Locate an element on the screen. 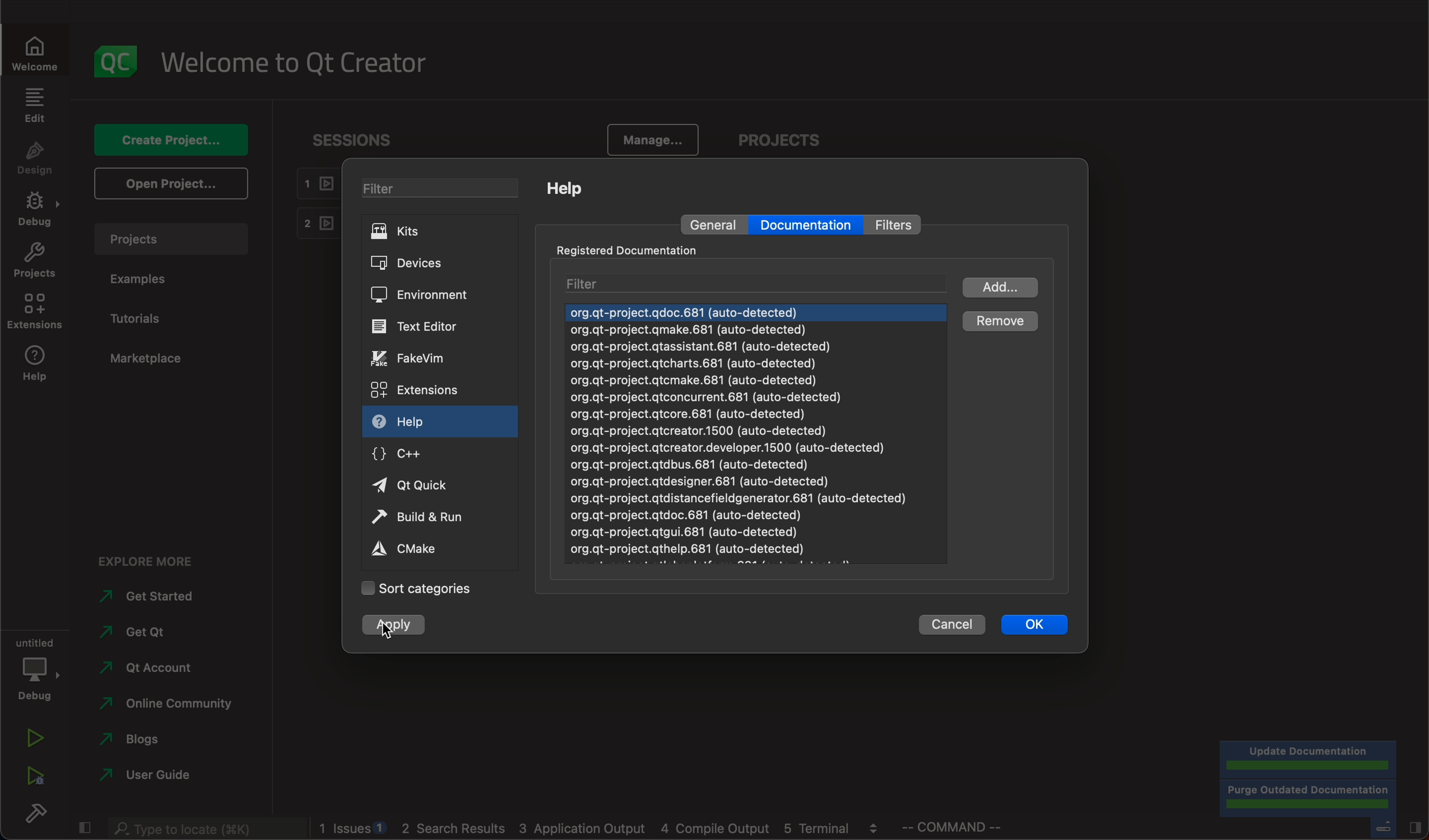 This screenshot has width=1429, height=840. debug is located at coordinates (38, 667).